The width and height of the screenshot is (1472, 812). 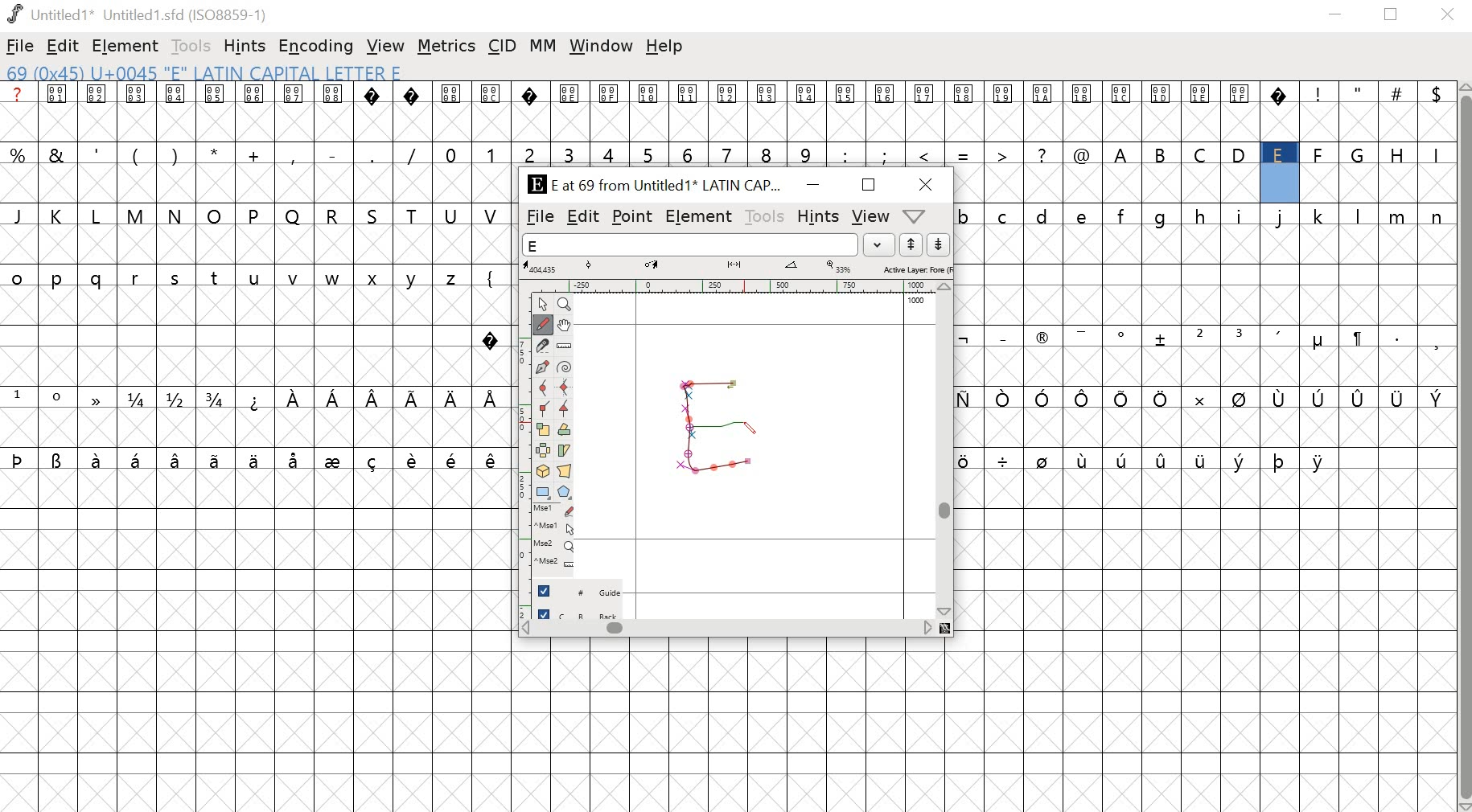 What do you see at coordinates (1448, 15) in the screenshot?
I see `close` at bounding box center [1448, 15].